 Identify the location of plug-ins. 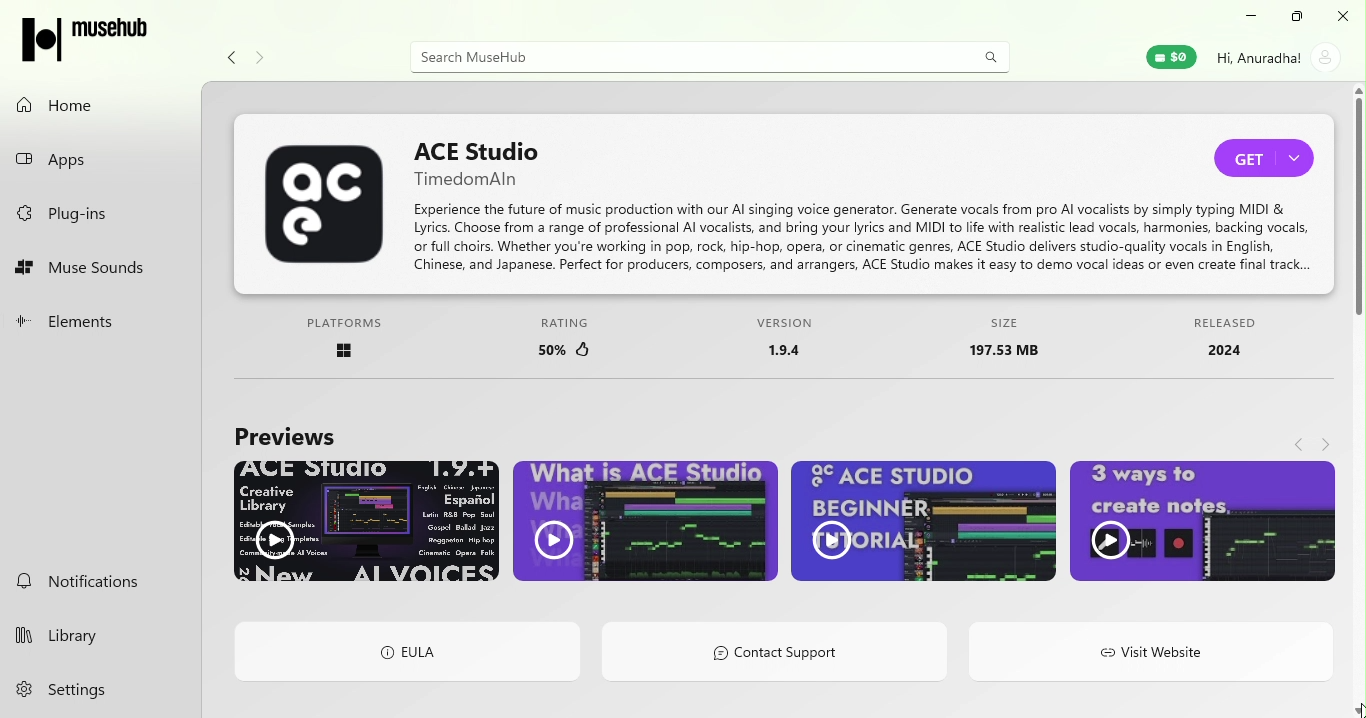
(99, 211).